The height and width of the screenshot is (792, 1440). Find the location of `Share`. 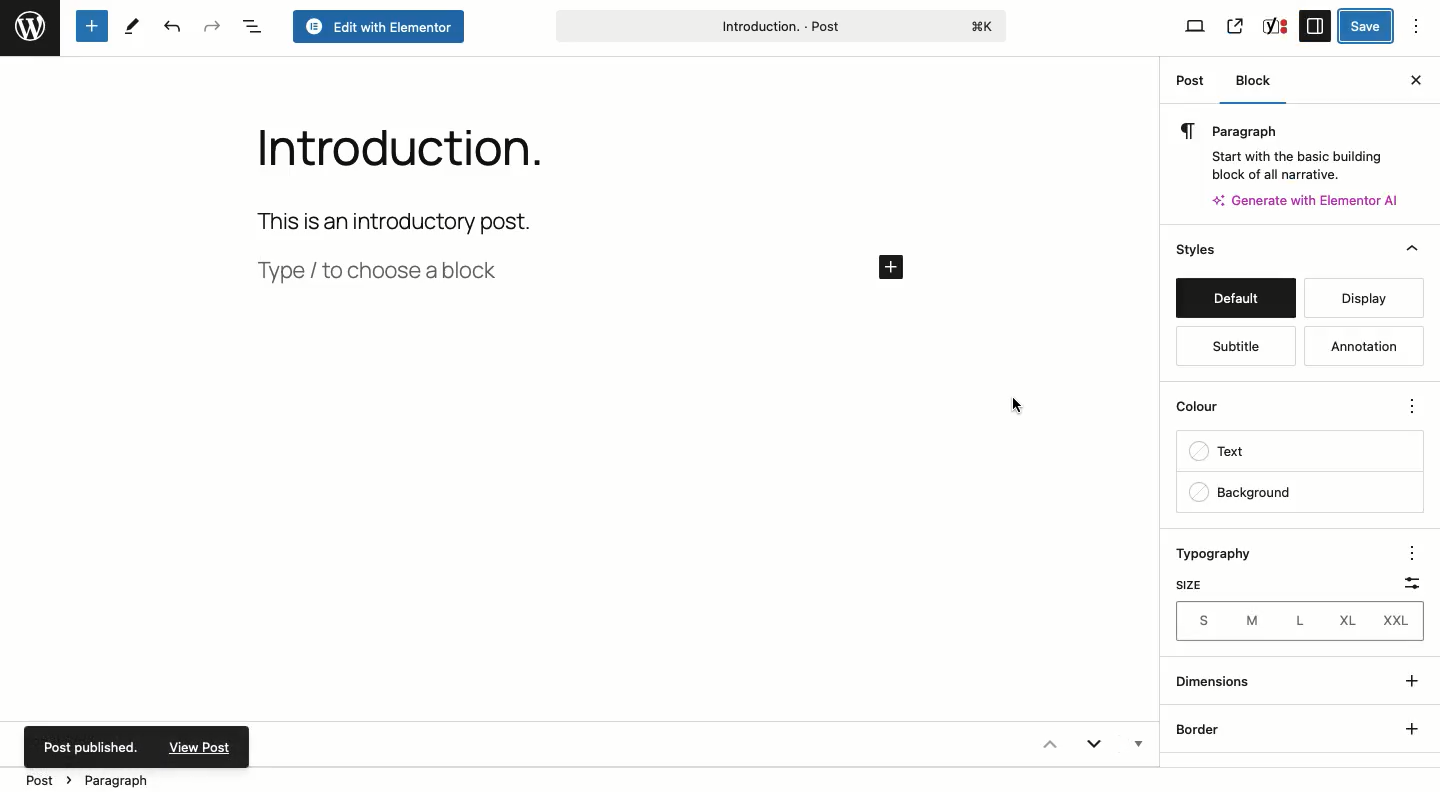

Share is located at coordinates (1236, 25).